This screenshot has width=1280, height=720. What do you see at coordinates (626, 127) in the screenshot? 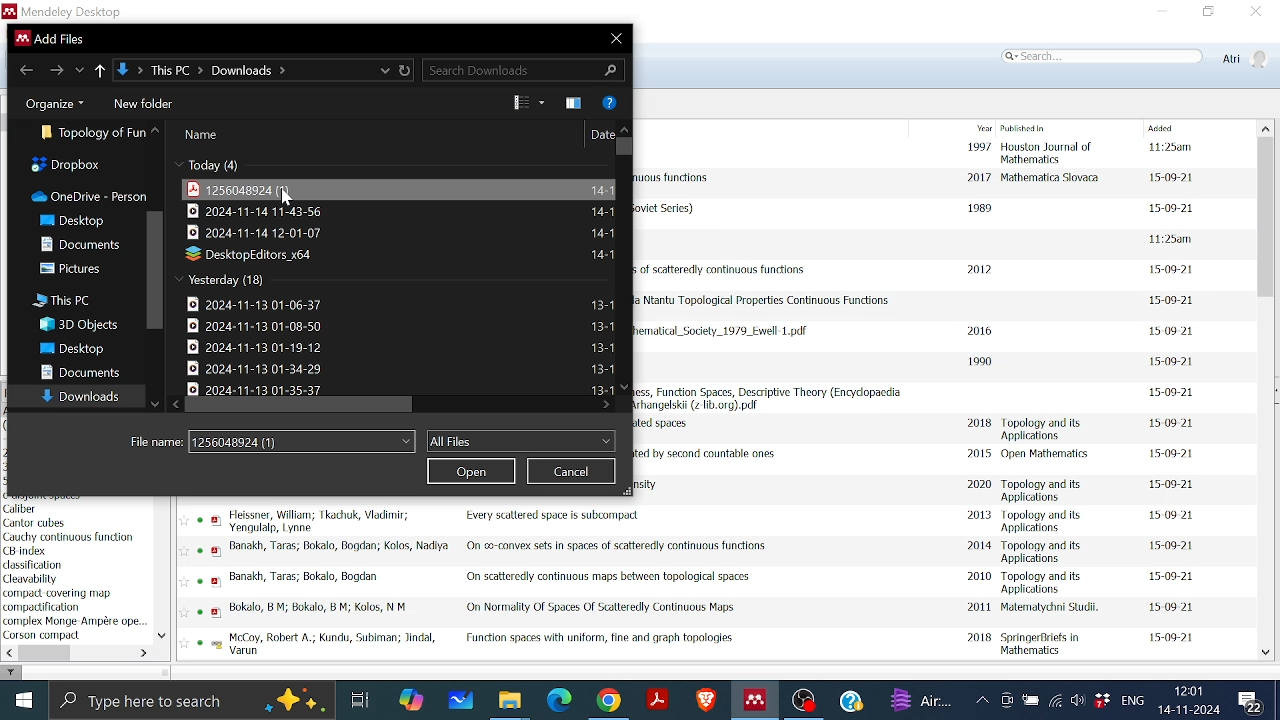
I see `move up in all files` at bounding box center [626, 127].